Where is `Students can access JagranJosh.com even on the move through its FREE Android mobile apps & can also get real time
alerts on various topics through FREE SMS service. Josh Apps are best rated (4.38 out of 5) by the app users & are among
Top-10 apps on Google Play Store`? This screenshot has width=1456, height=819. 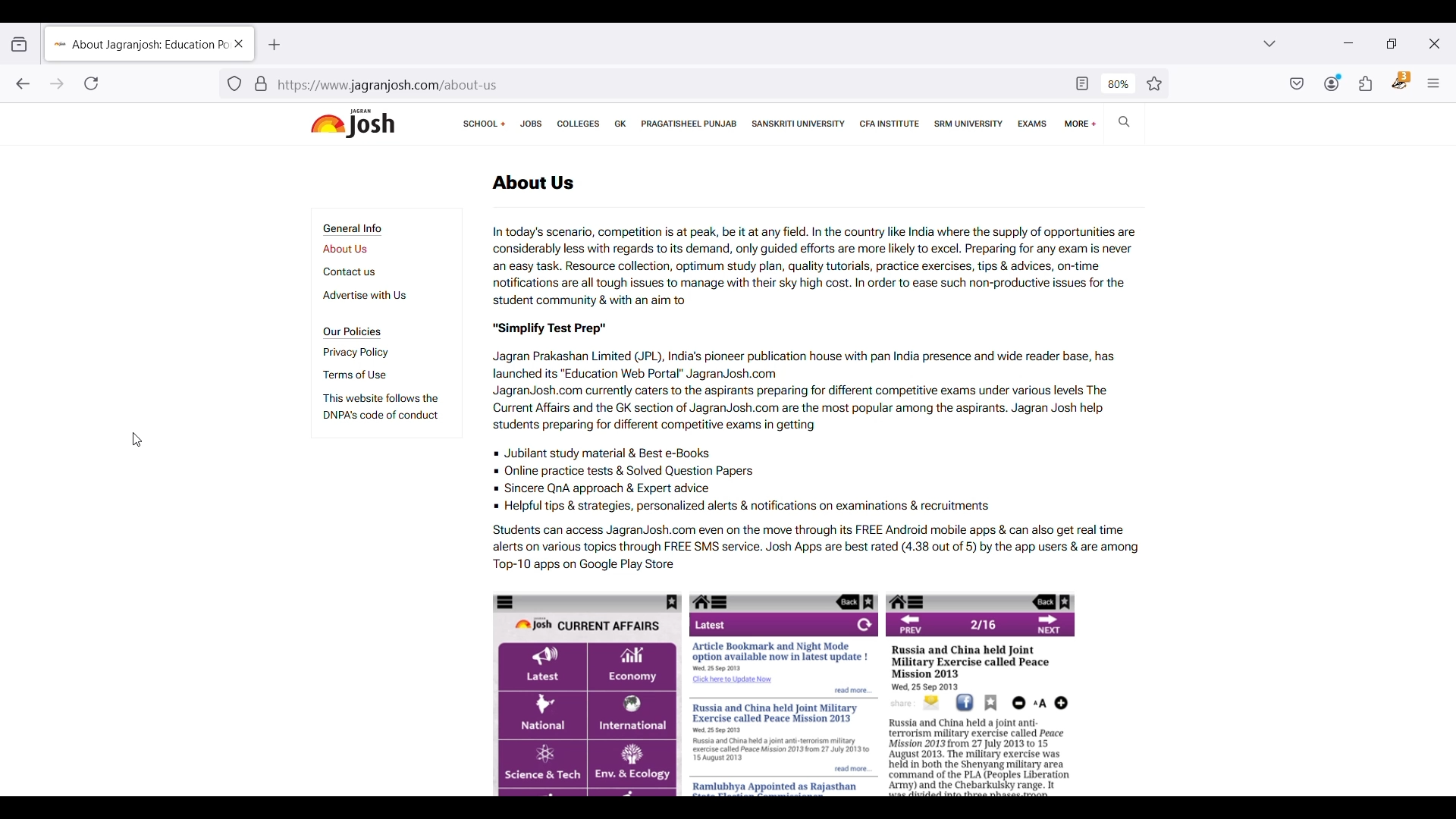
Students can access JagranJosh.com even on the move through its FREE Android mobile apps & can also get real time
alerts on various topics through FREE SMS service. Josh Apps are best rated (4.38 out of 5) by the app users & are among
Top-10 apps on Google Play Store is located at coordinates (827, 551).